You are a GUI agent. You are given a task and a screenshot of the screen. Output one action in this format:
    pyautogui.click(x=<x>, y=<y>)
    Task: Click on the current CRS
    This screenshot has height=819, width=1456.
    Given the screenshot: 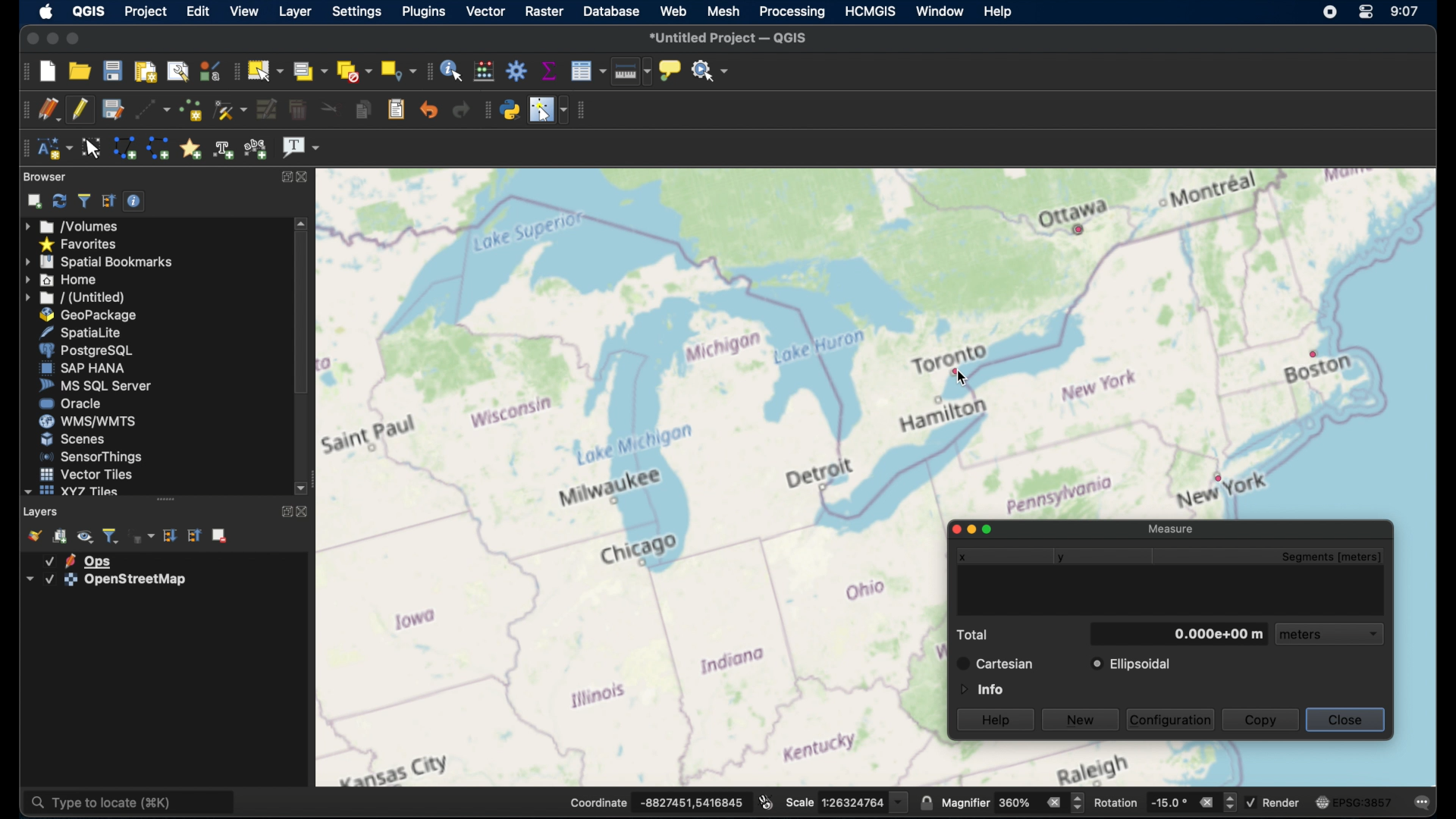 What is the action you would take?
    pyautogui.click(x=1354, y=800)
    